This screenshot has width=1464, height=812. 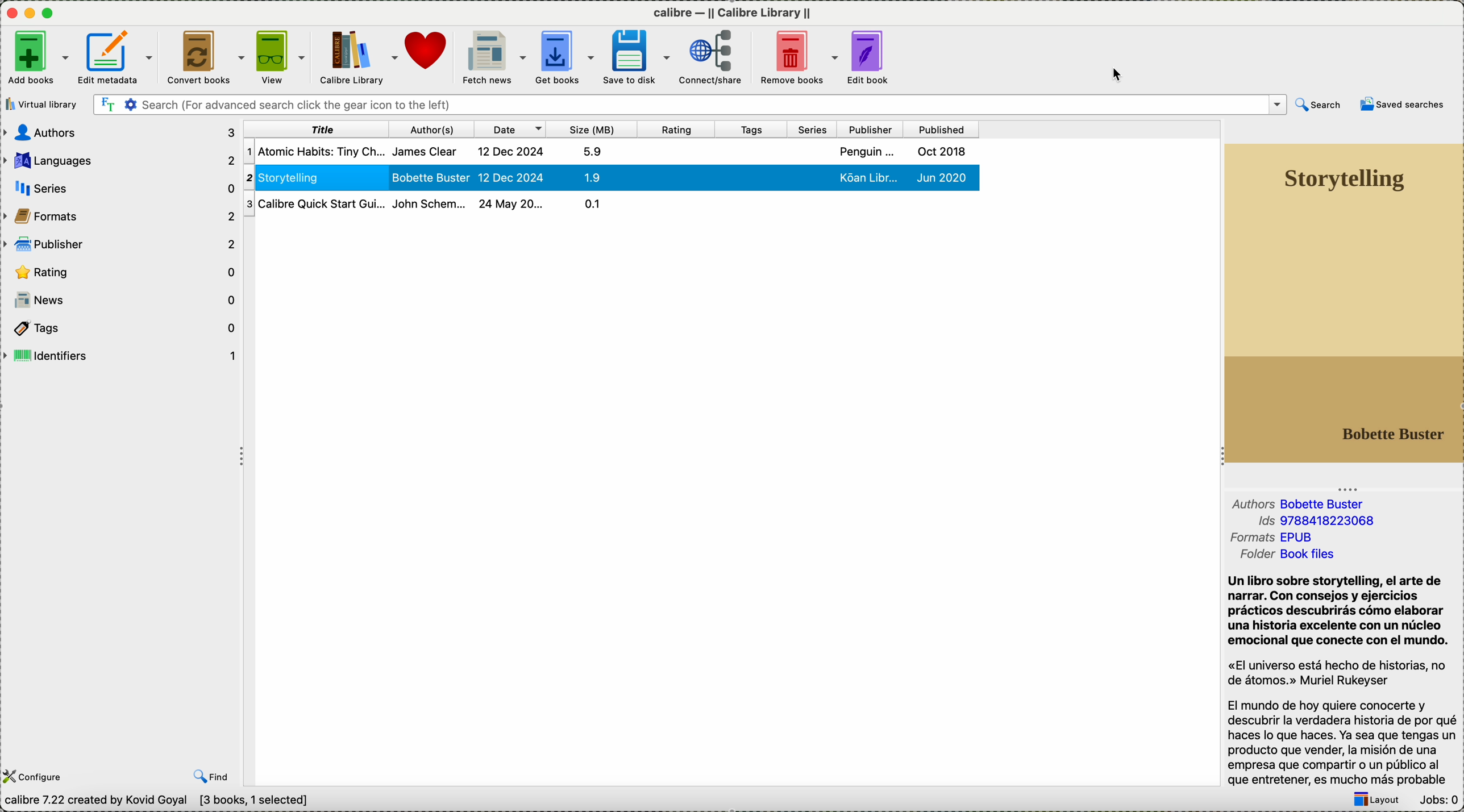 I want to click on synopsis, so click(x=1344, y=667).